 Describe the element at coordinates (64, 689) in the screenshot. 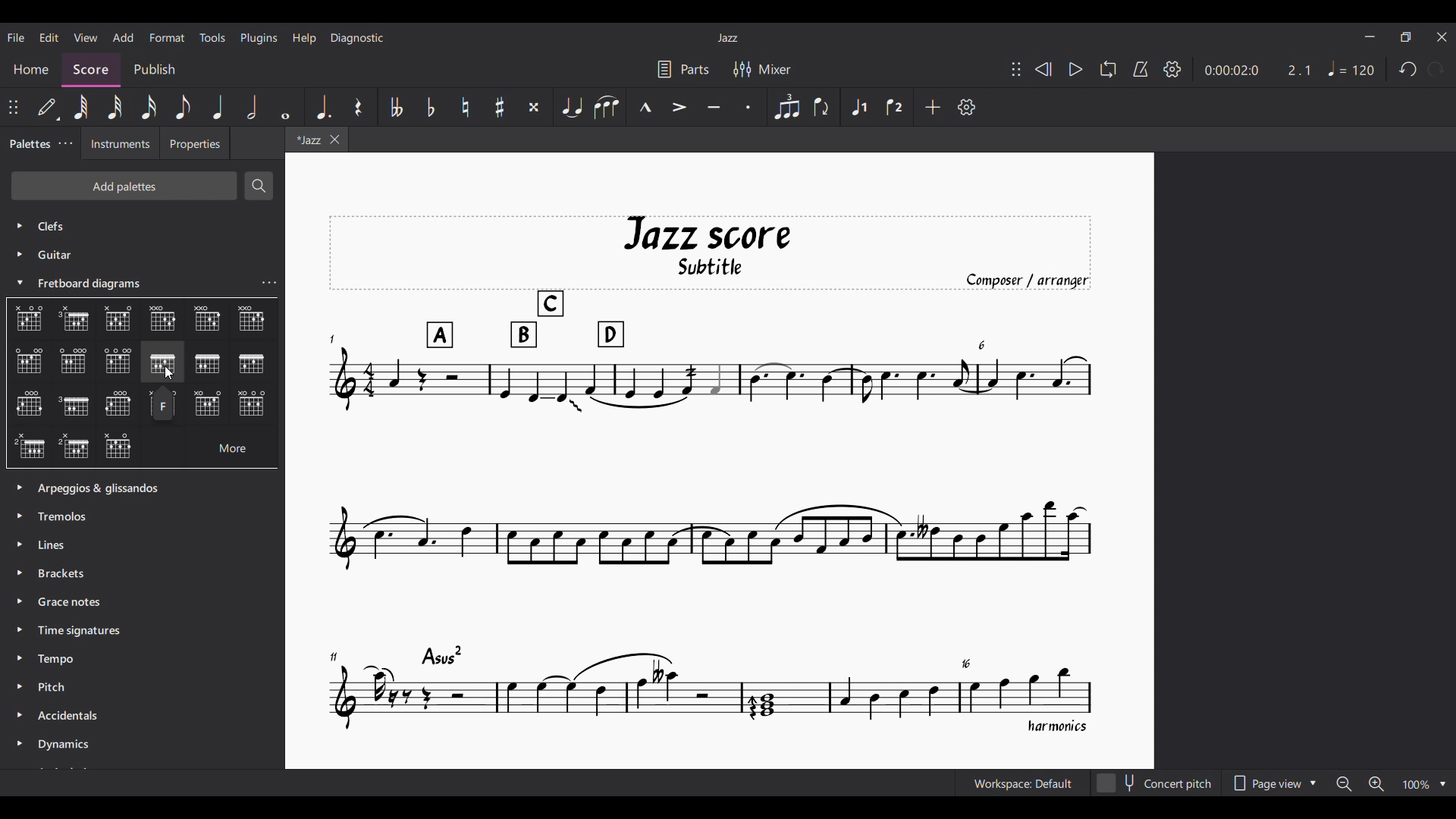

I see `Pitch` at that location.